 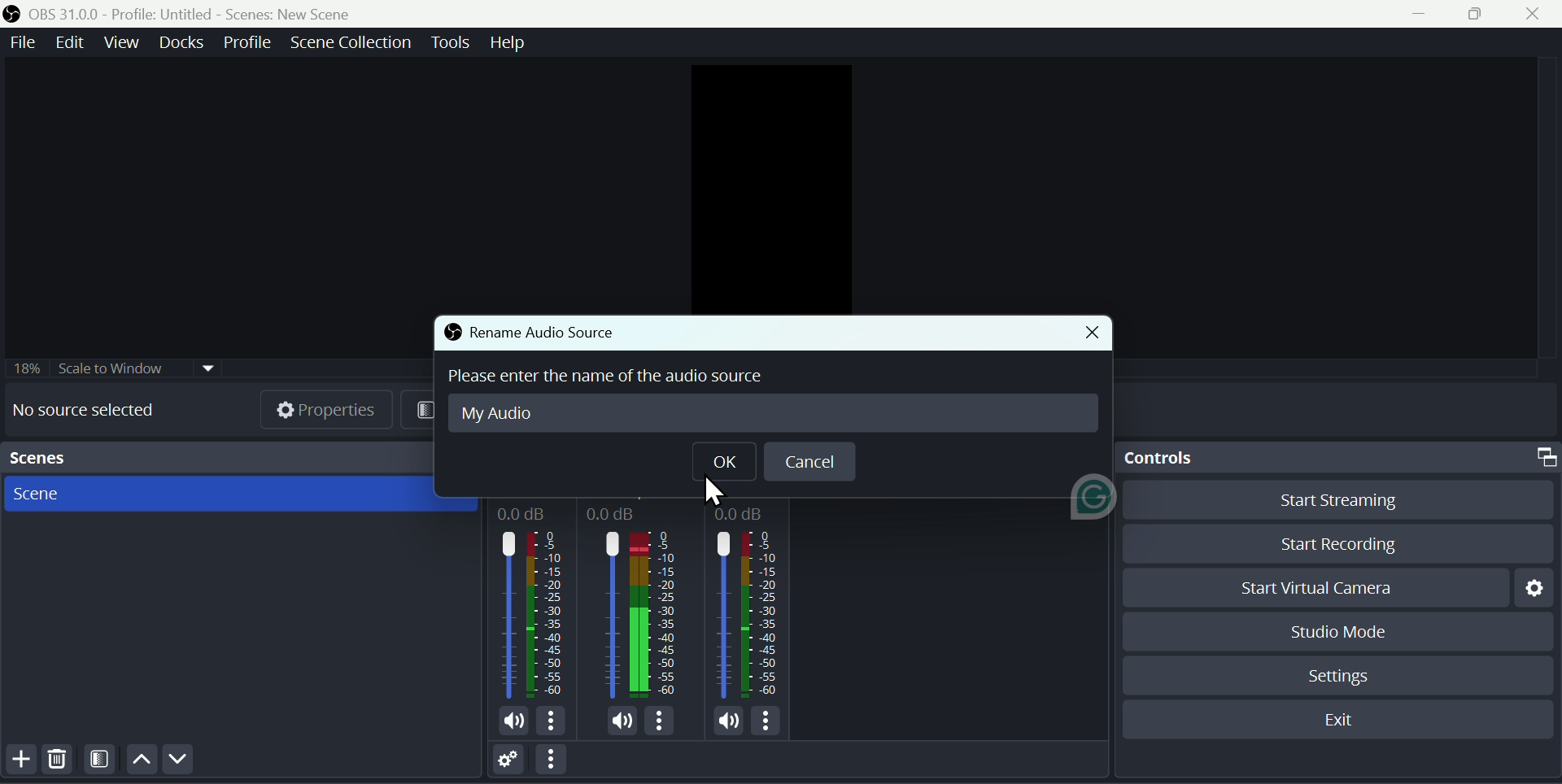 I want to click on help, so click(x=507, y=45).